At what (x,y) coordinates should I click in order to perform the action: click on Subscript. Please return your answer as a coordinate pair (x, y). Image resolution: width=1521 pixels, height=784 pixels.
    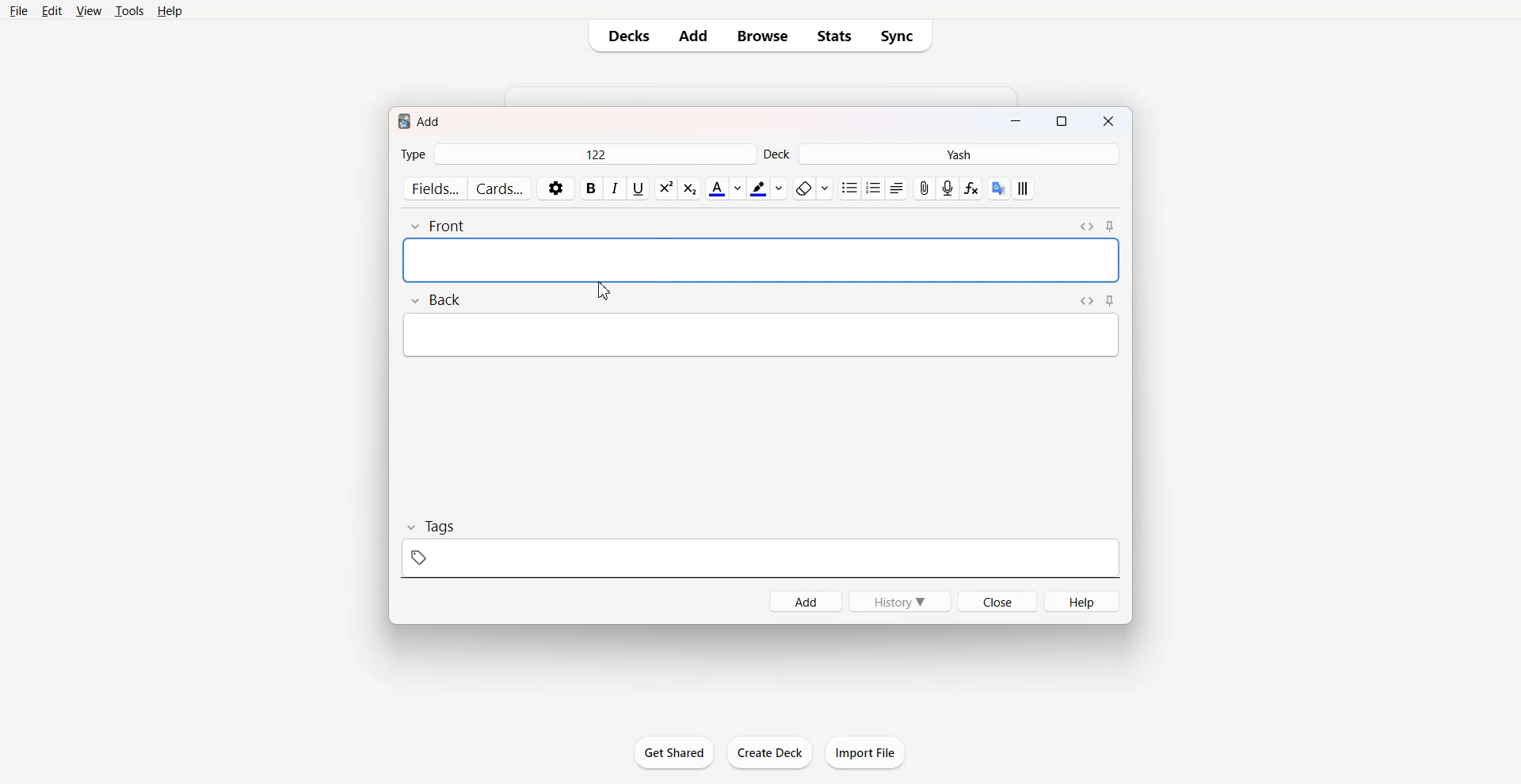
    Looking at the image, I should click on (665, 188).